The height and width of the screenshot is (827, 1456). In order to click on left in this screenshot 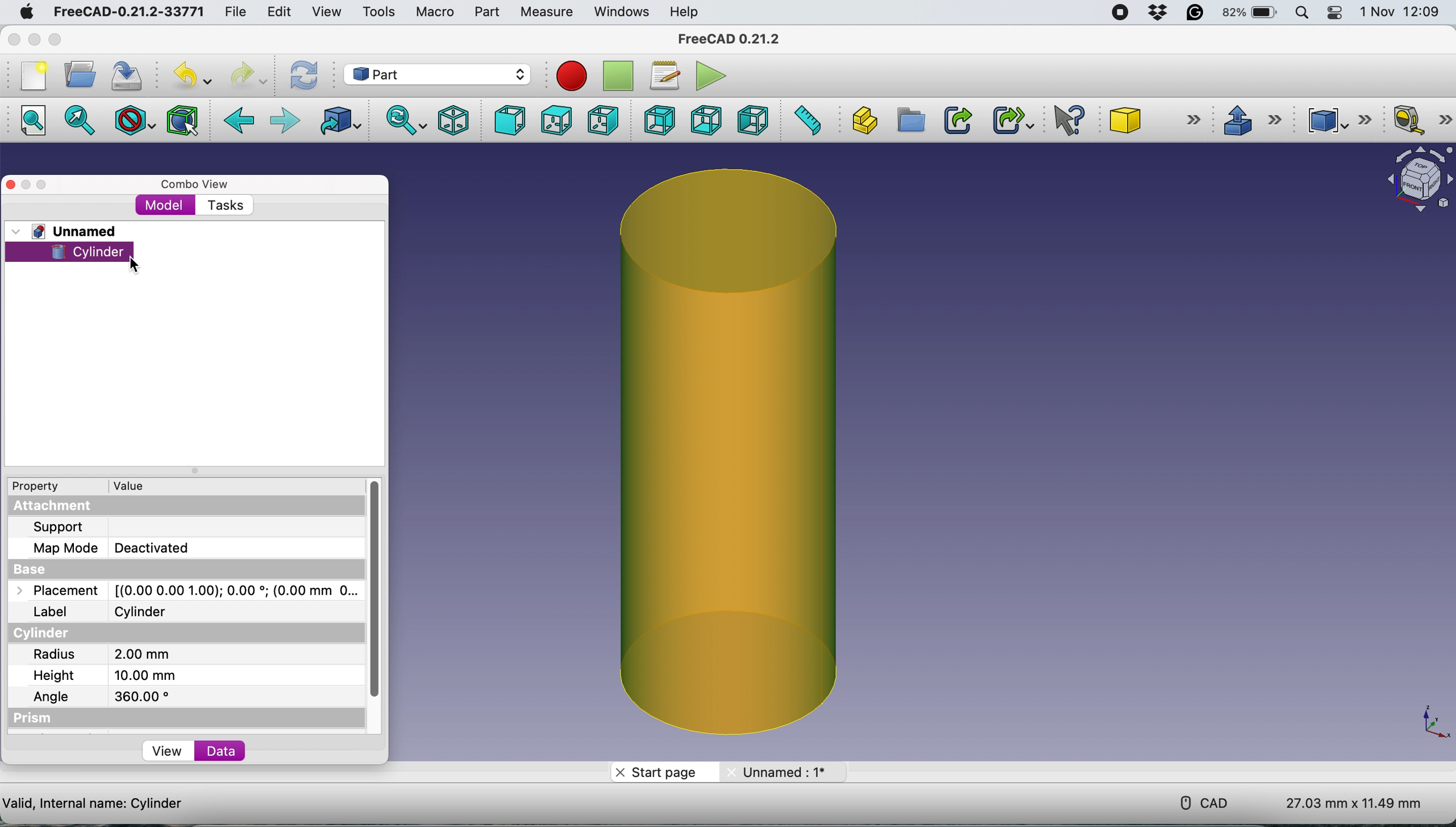, I will do `click(753, 121)`.